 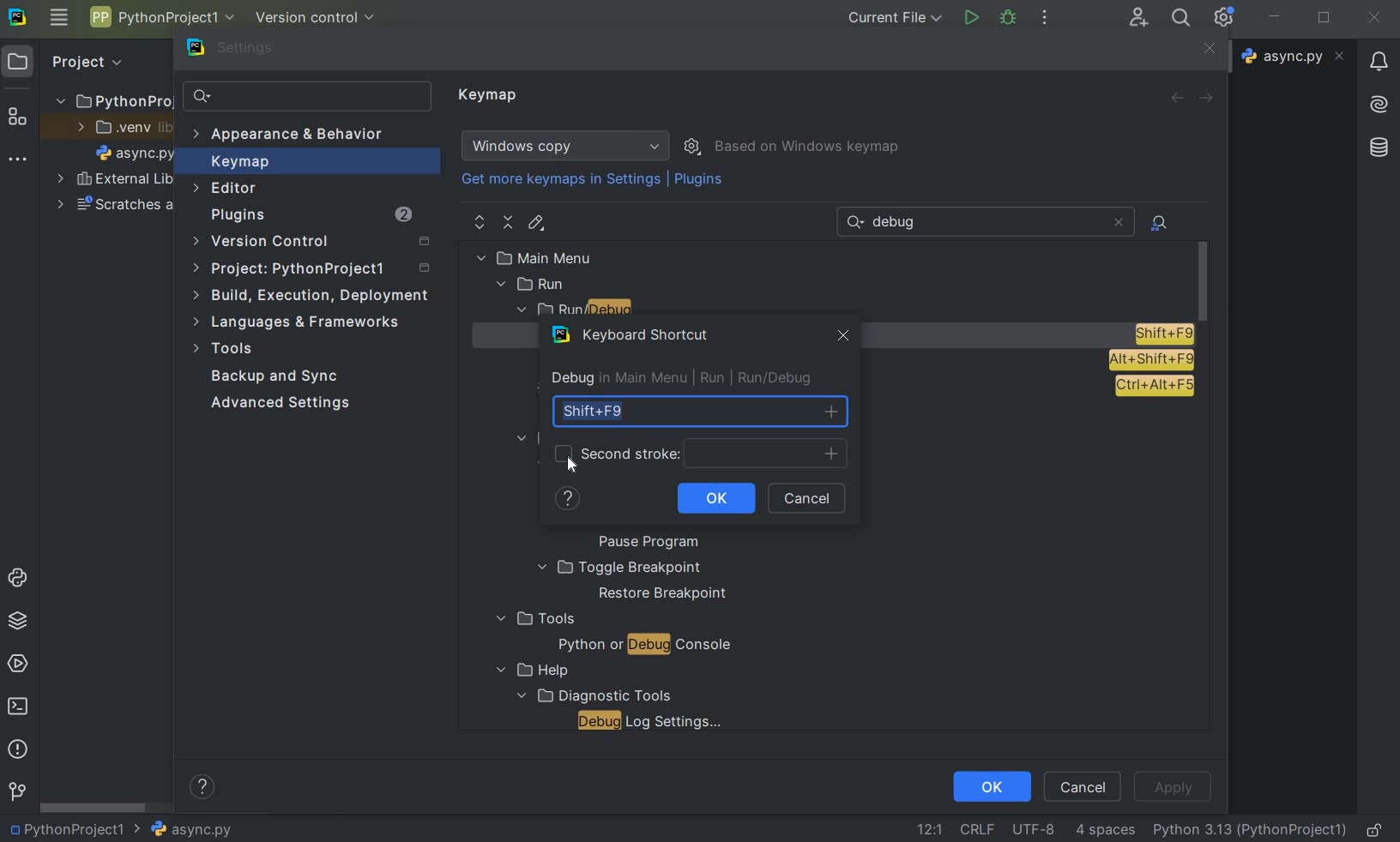 I want to click on search settings, so click(x=308, y=97).